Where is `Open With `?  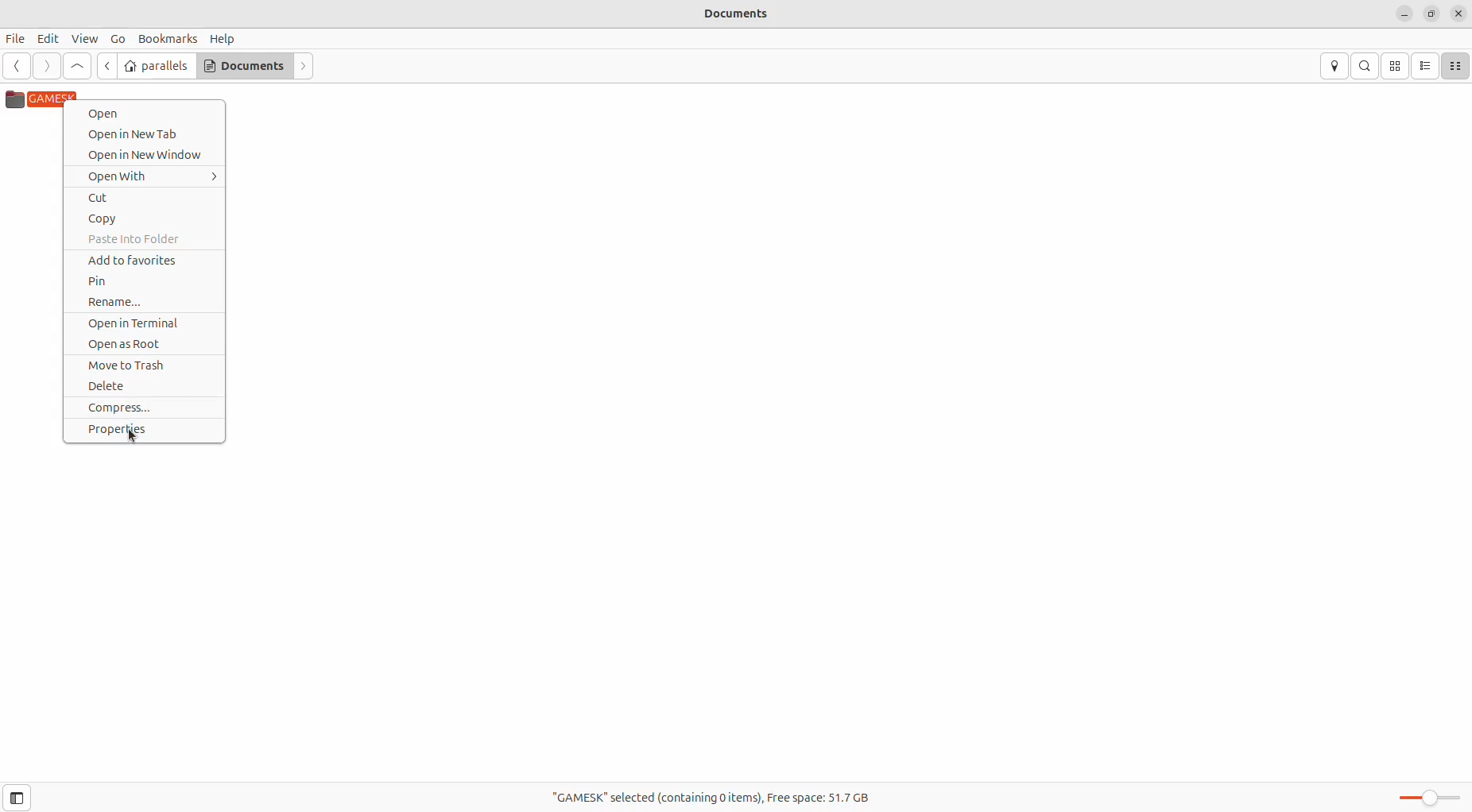 Open With  is located at coordinates (145, 176).